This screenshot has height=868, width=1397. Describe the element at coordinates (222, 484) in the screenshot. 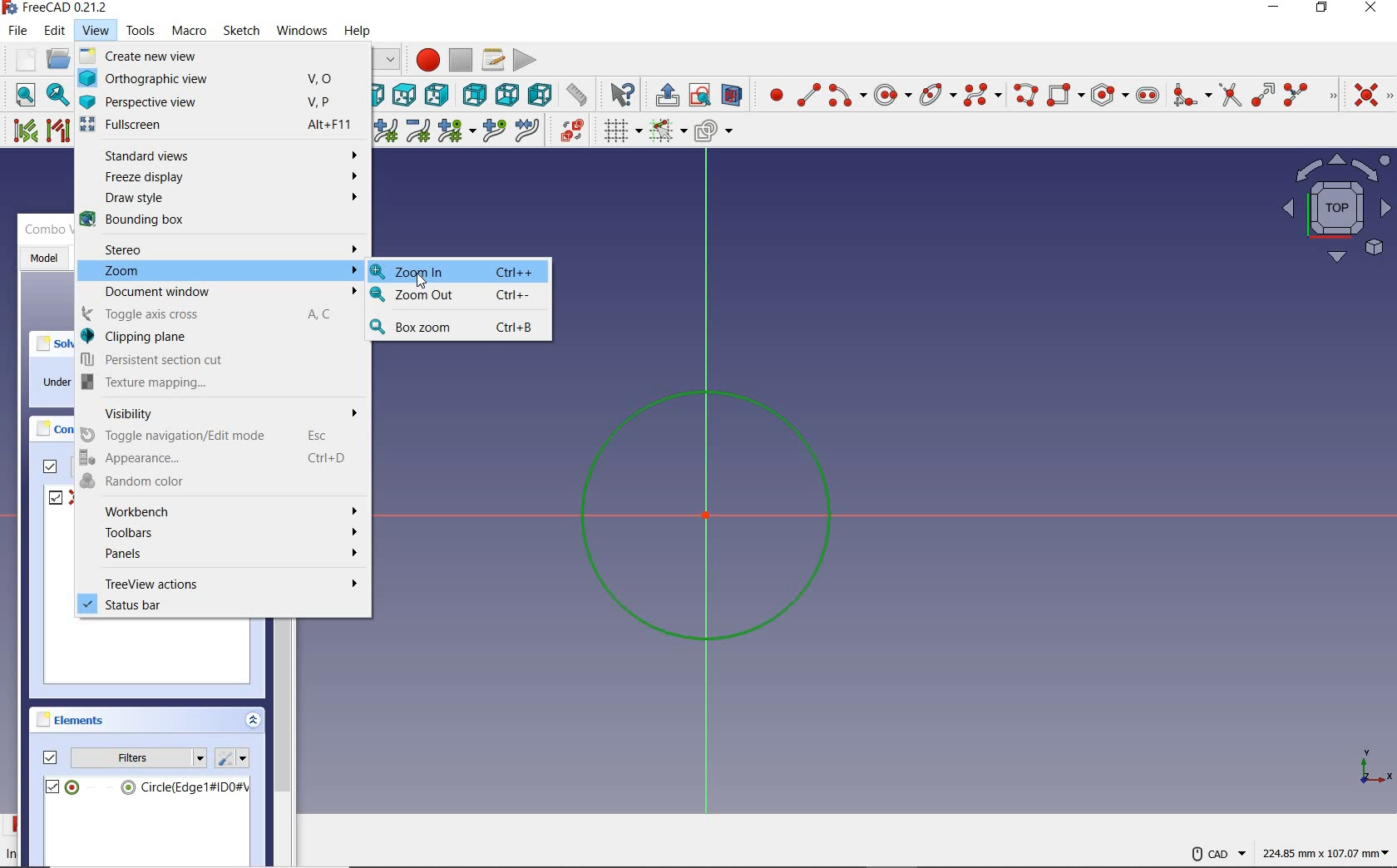

I see `Random color` at that location.